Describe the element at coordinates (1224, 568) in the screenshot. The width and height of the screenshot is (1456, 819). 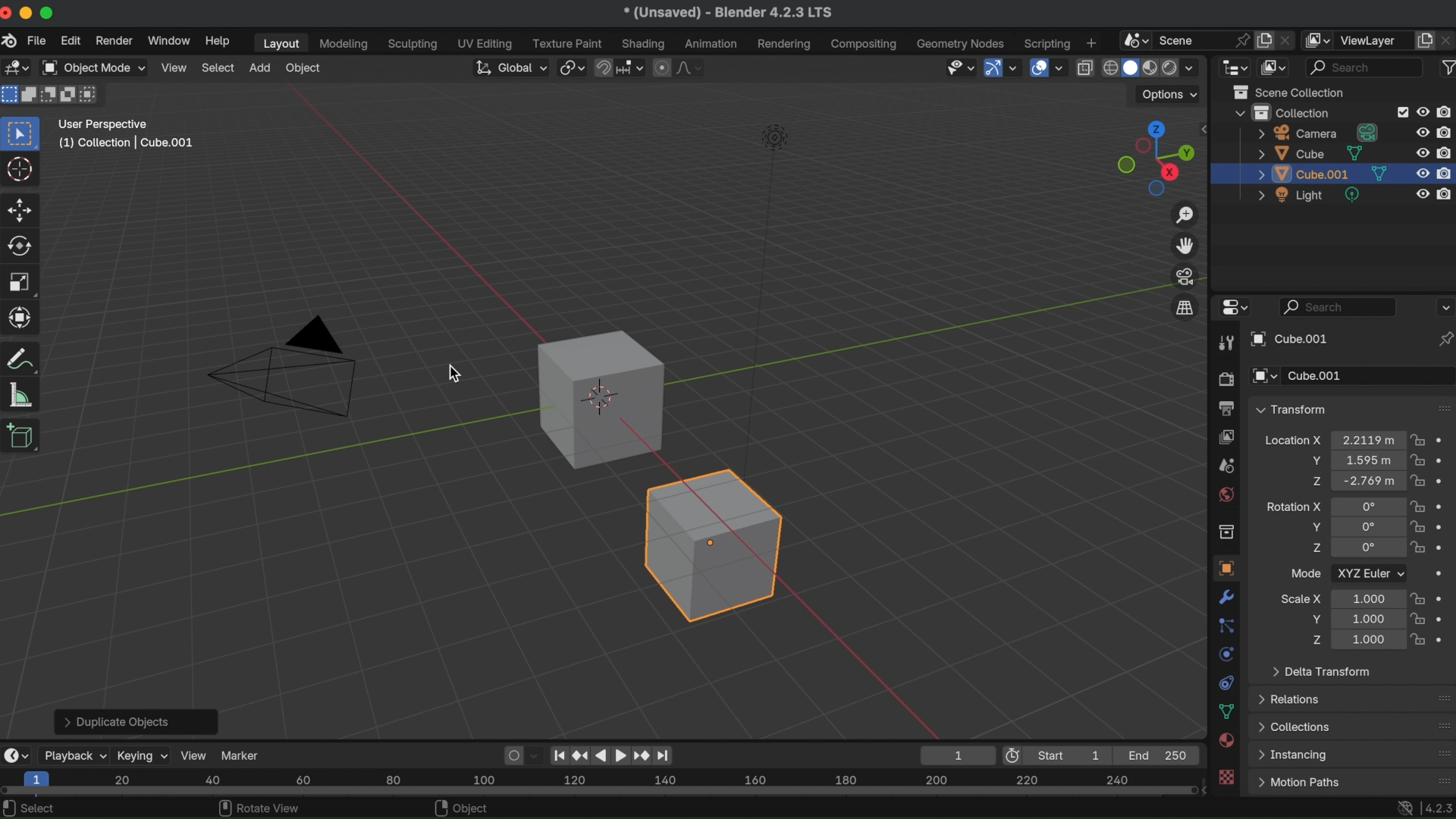
I see `object` at that location.